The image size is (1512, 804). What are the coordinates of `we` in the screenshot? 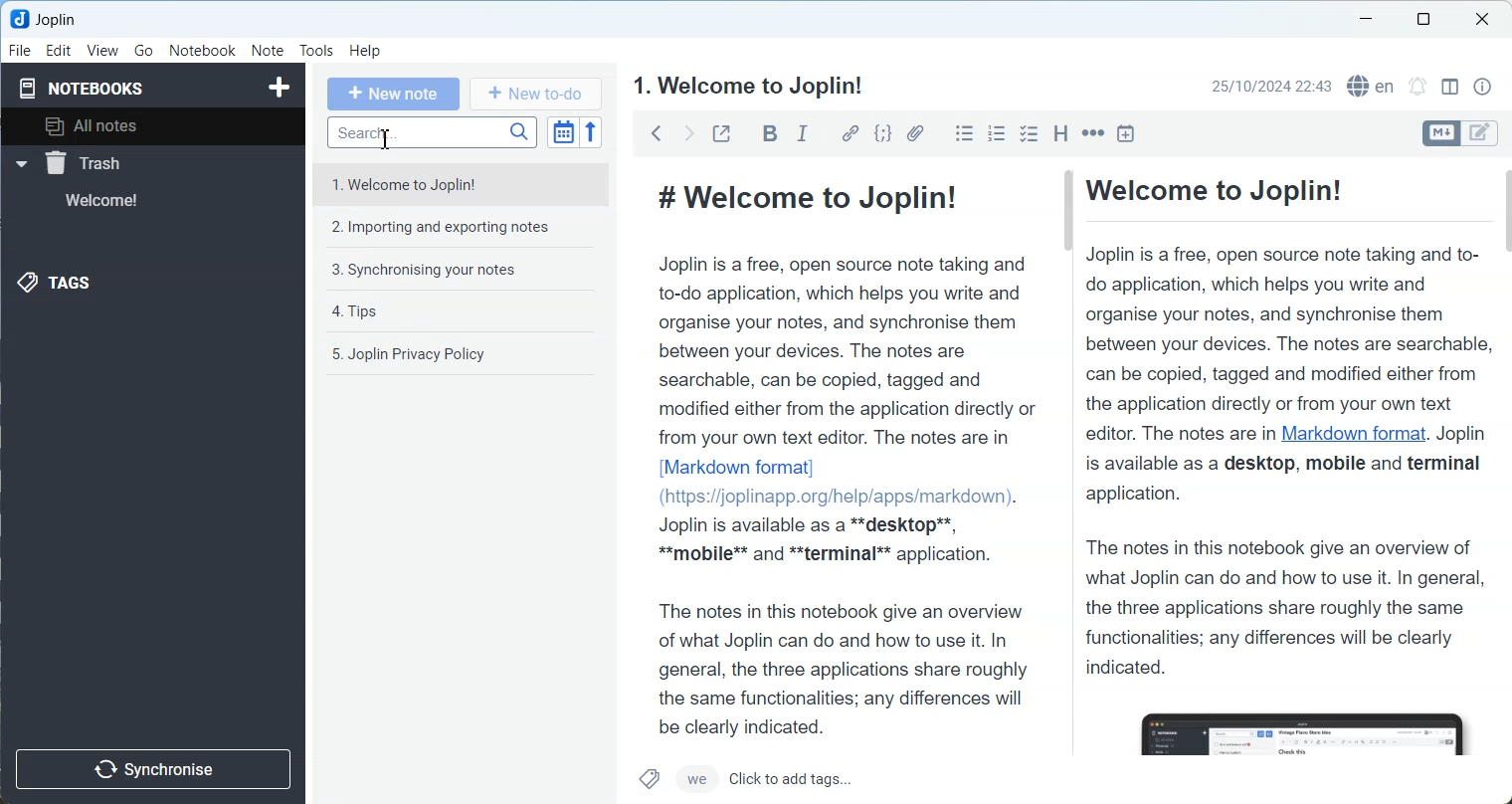 It's located at (696, 780).